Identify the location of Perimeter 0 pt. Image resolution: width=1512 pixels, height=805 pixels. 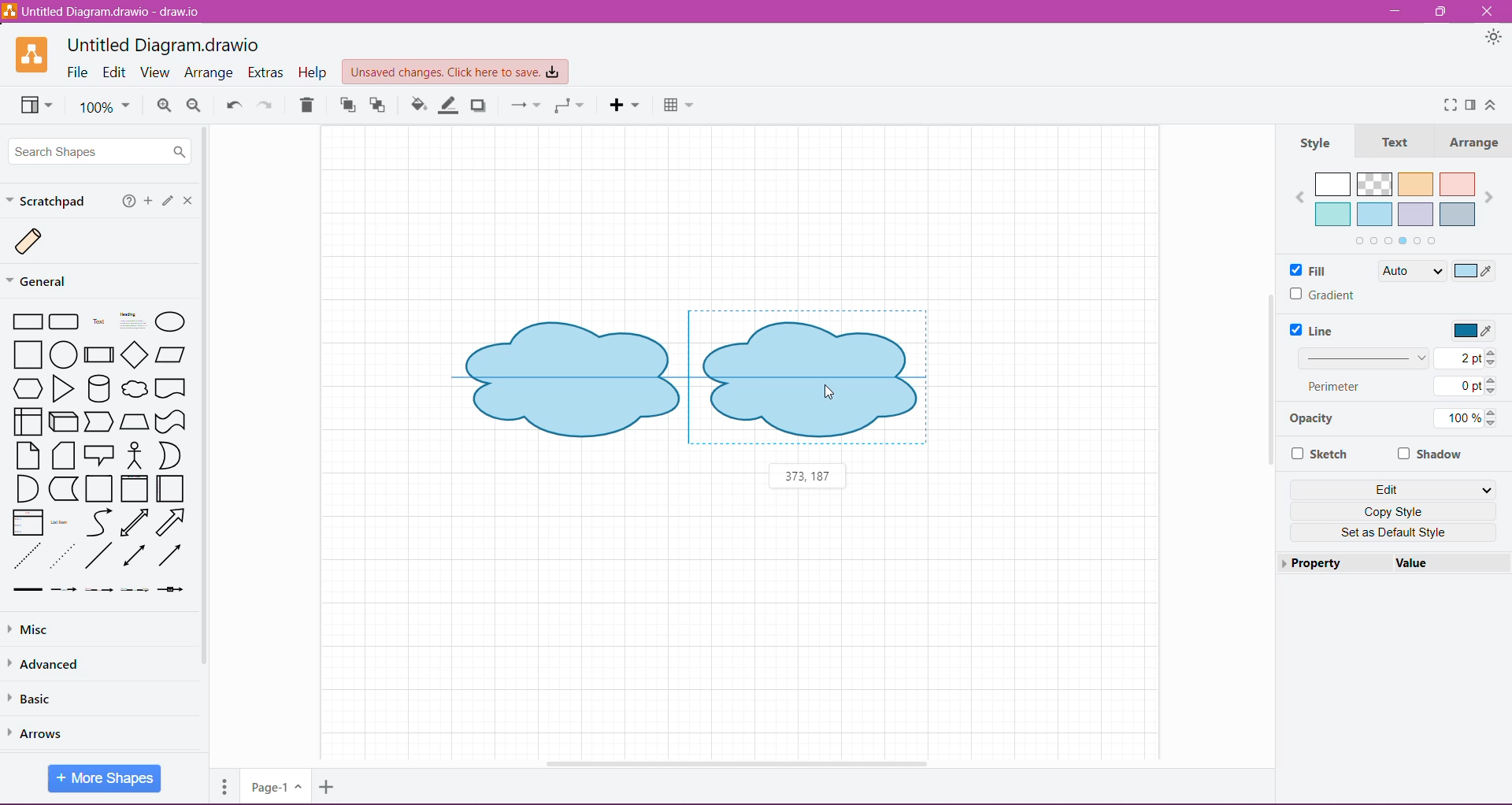
(1401, 386).